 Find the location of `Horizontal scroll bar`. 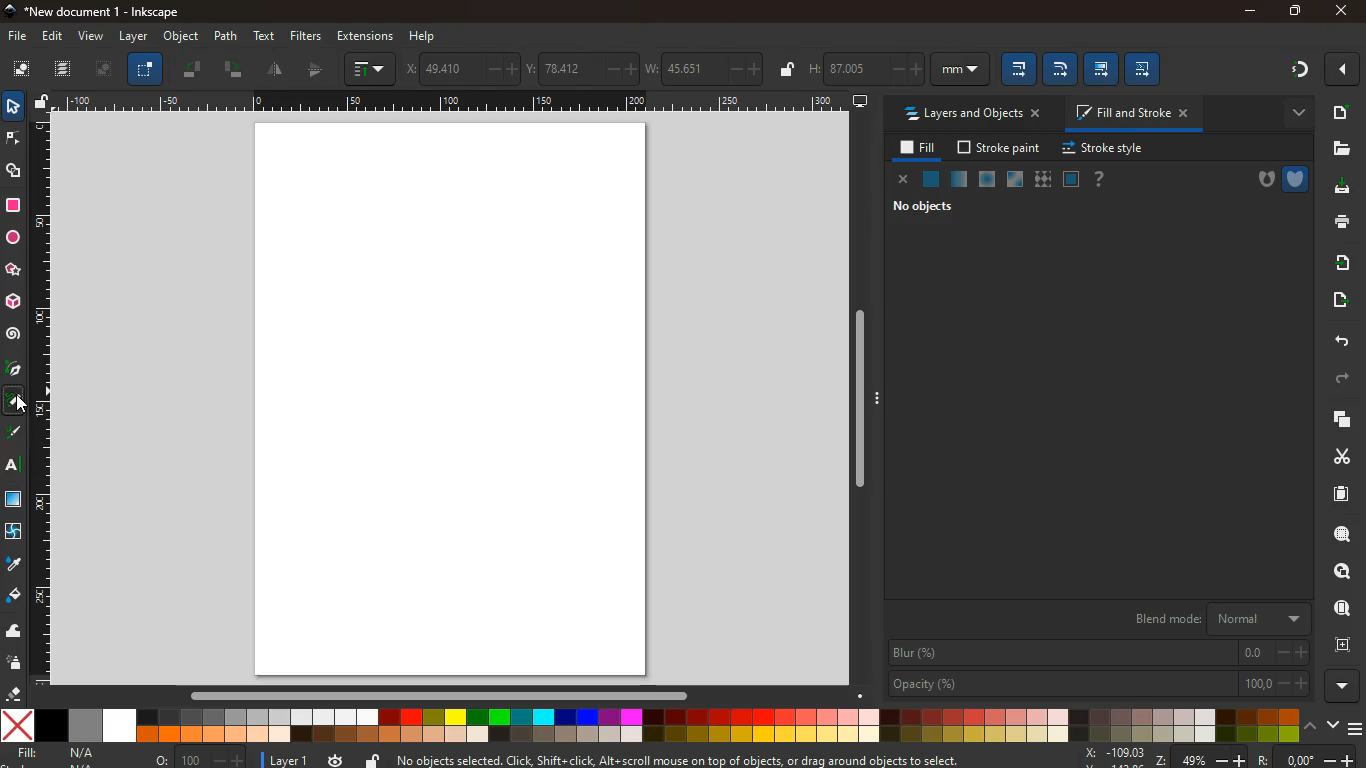

Horizontal scroll bar is located at coordinates (429, 695).